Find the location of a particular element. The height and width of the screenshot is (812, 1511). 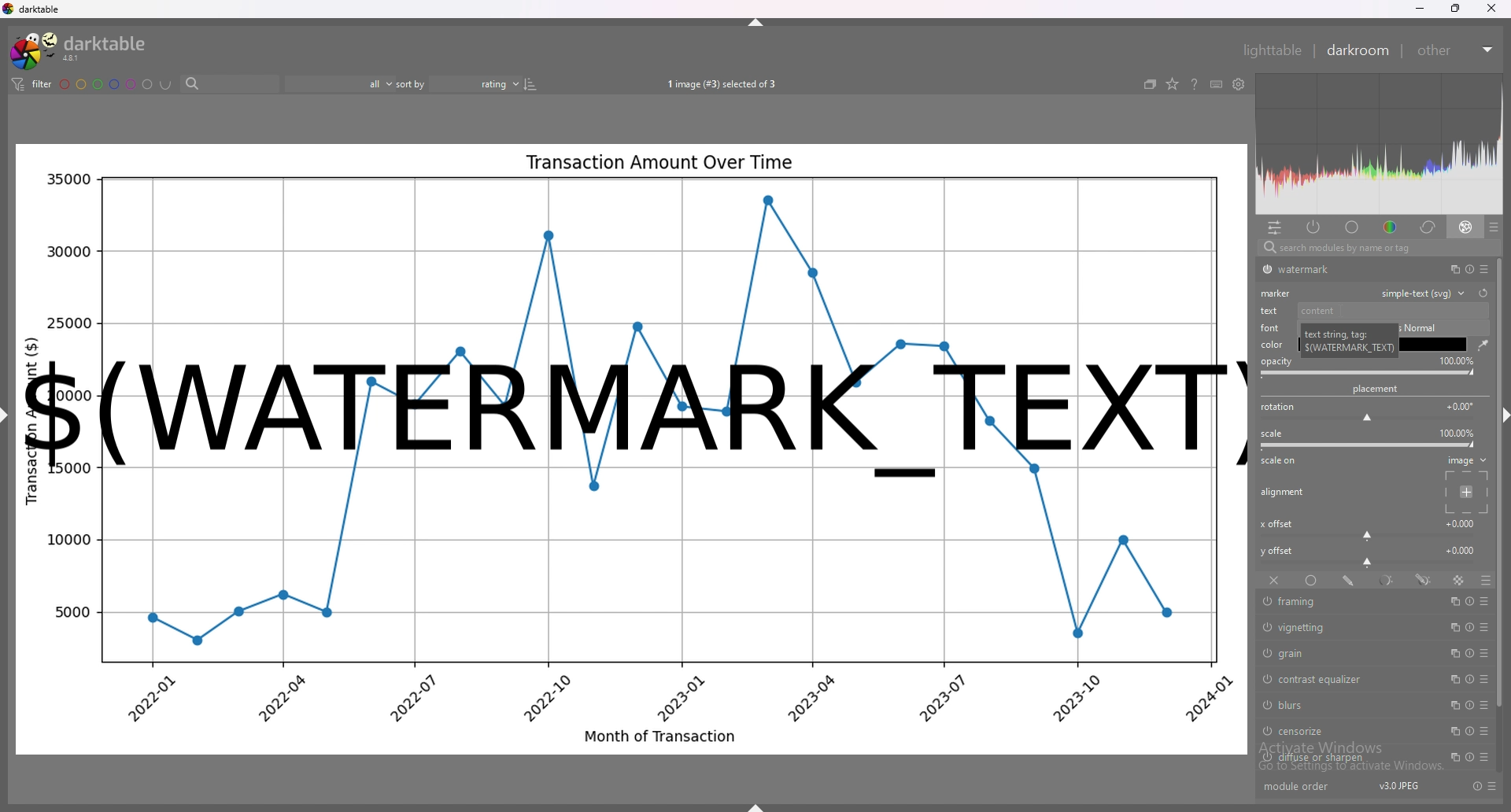

multiple instances action is located at coordinates (1453, 680).